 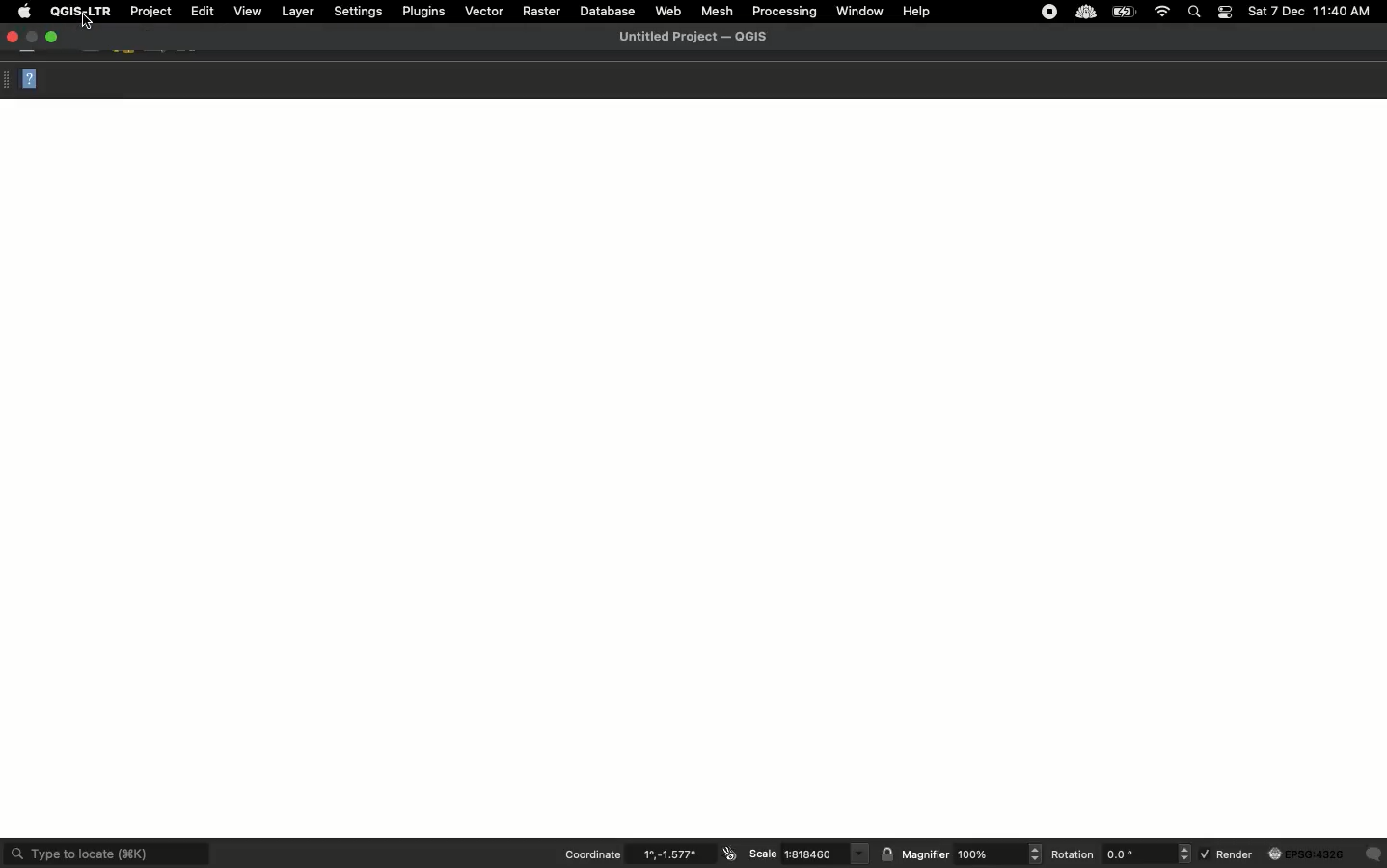 I want to click on Coordinate, so click(x=638, y=854).